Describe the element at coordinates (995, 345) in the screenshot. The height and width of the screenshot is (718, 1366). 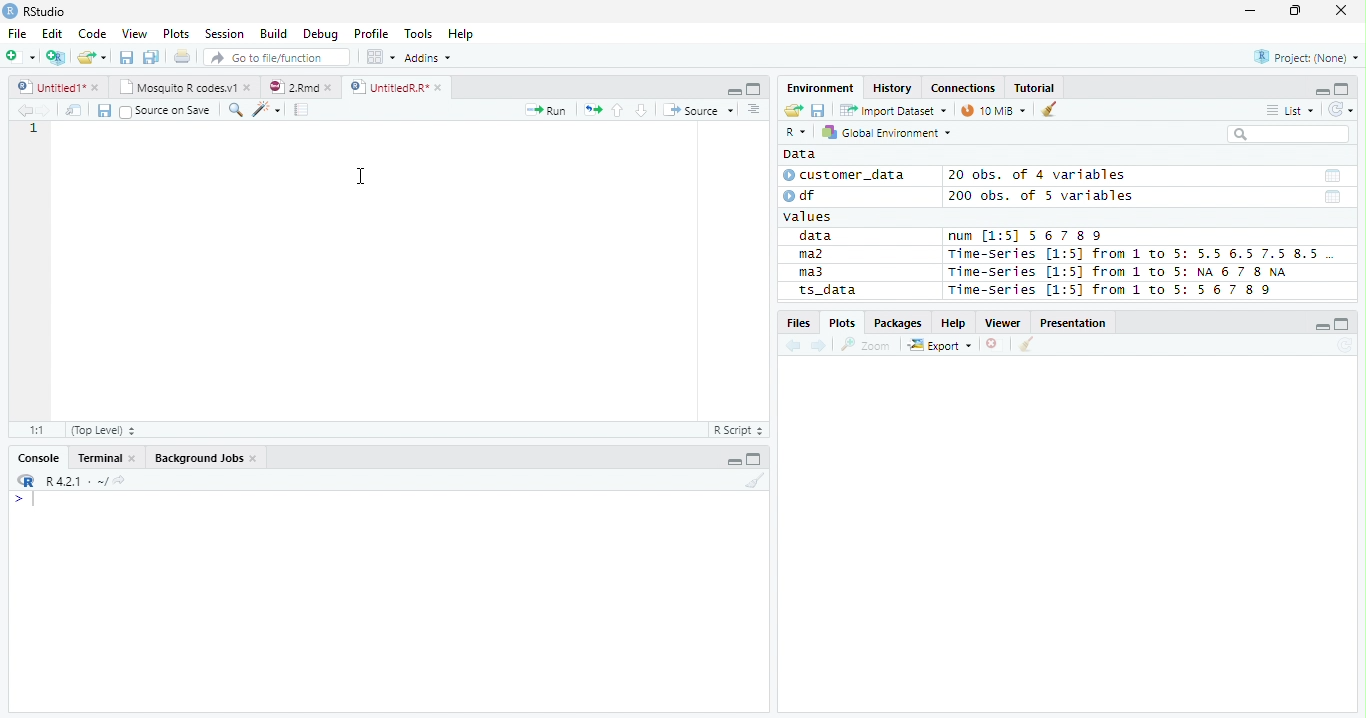
I see `Delete` at that location.